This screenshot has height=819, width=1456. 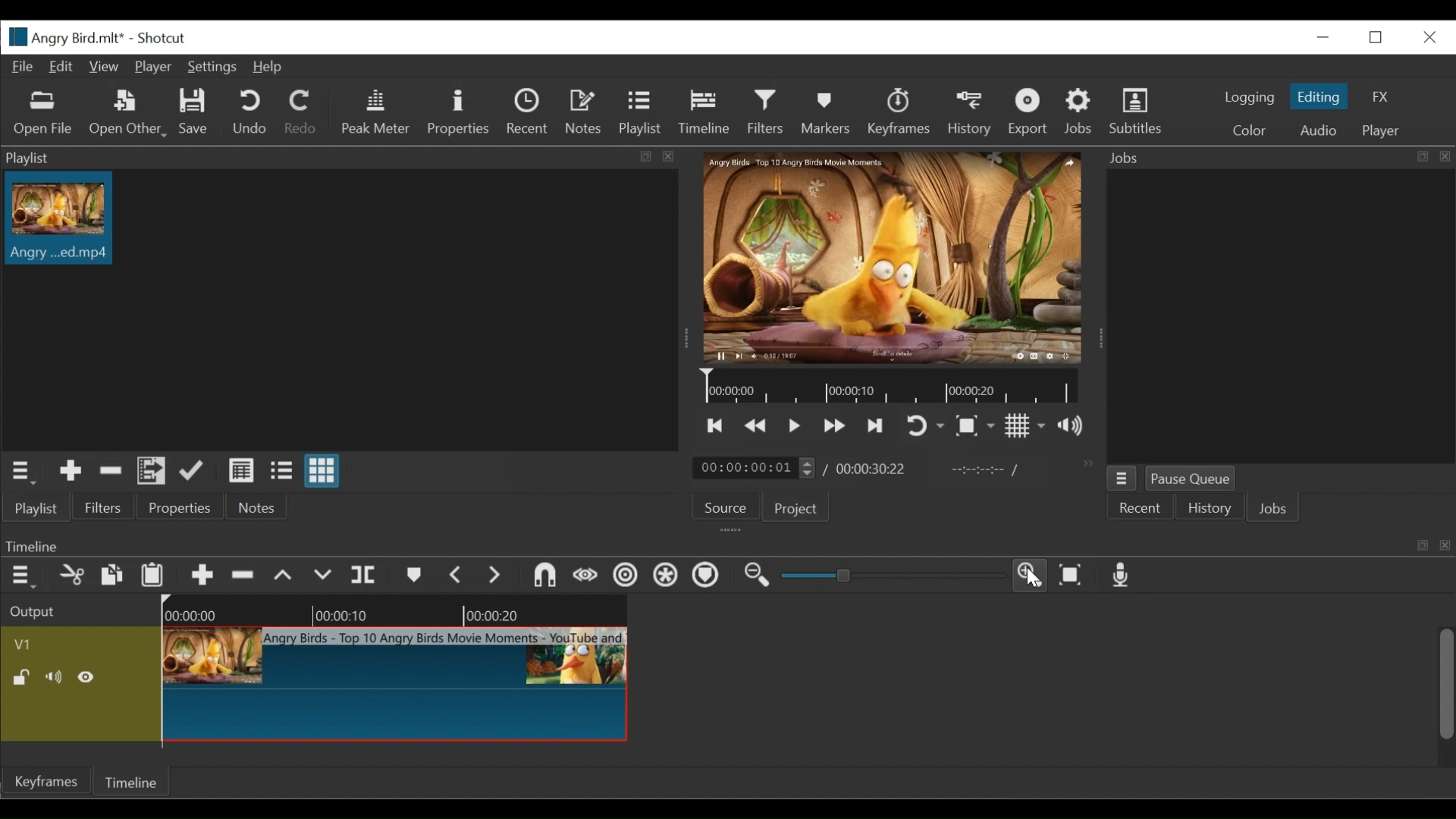 What do you see at coordinates (162, 39) in the screenshot?
I see `Shotcut` at bounding box center [162, 39].